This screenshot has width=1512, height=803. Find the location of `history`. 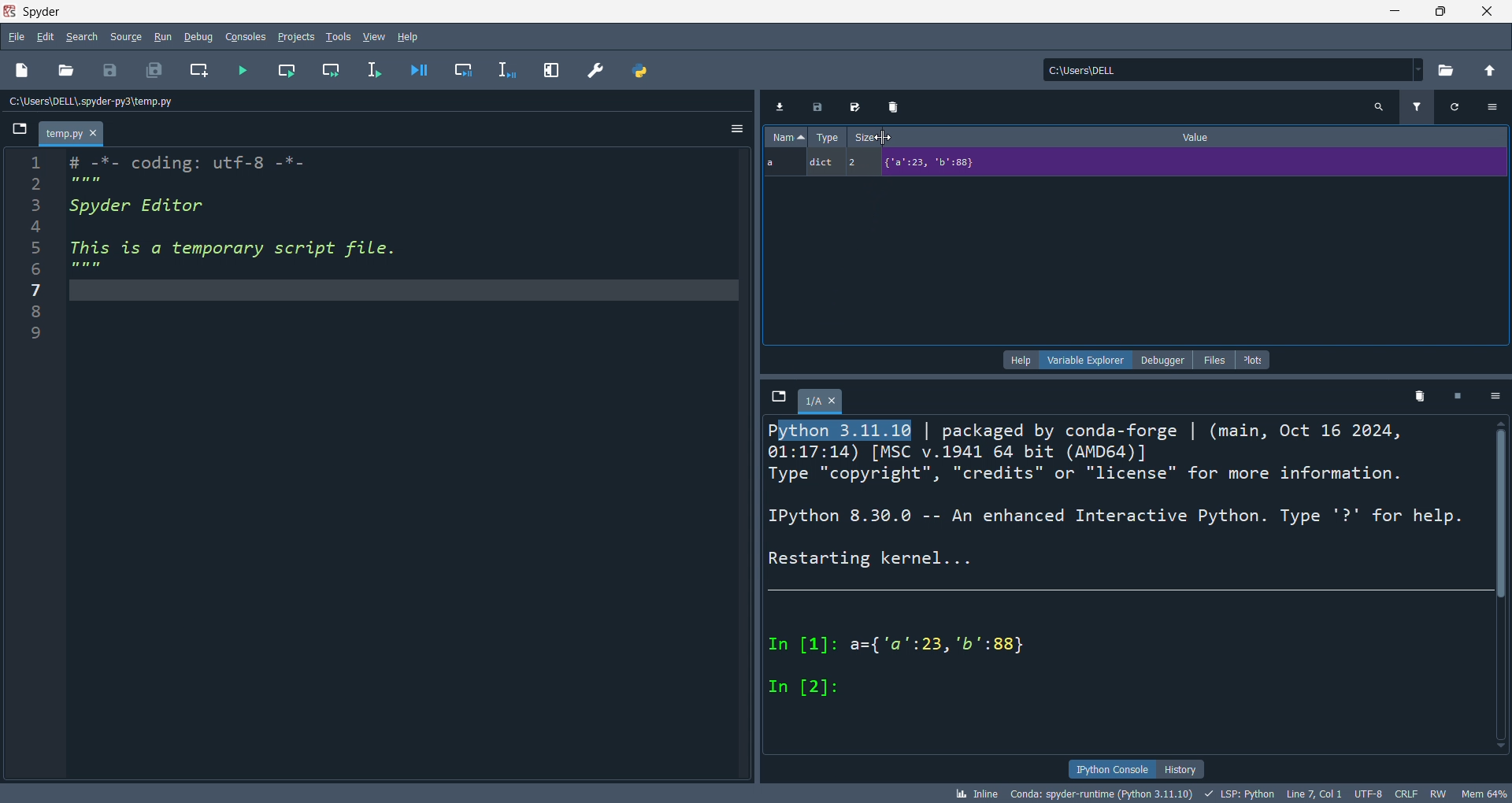

history is located at coordinates (1180, 768).